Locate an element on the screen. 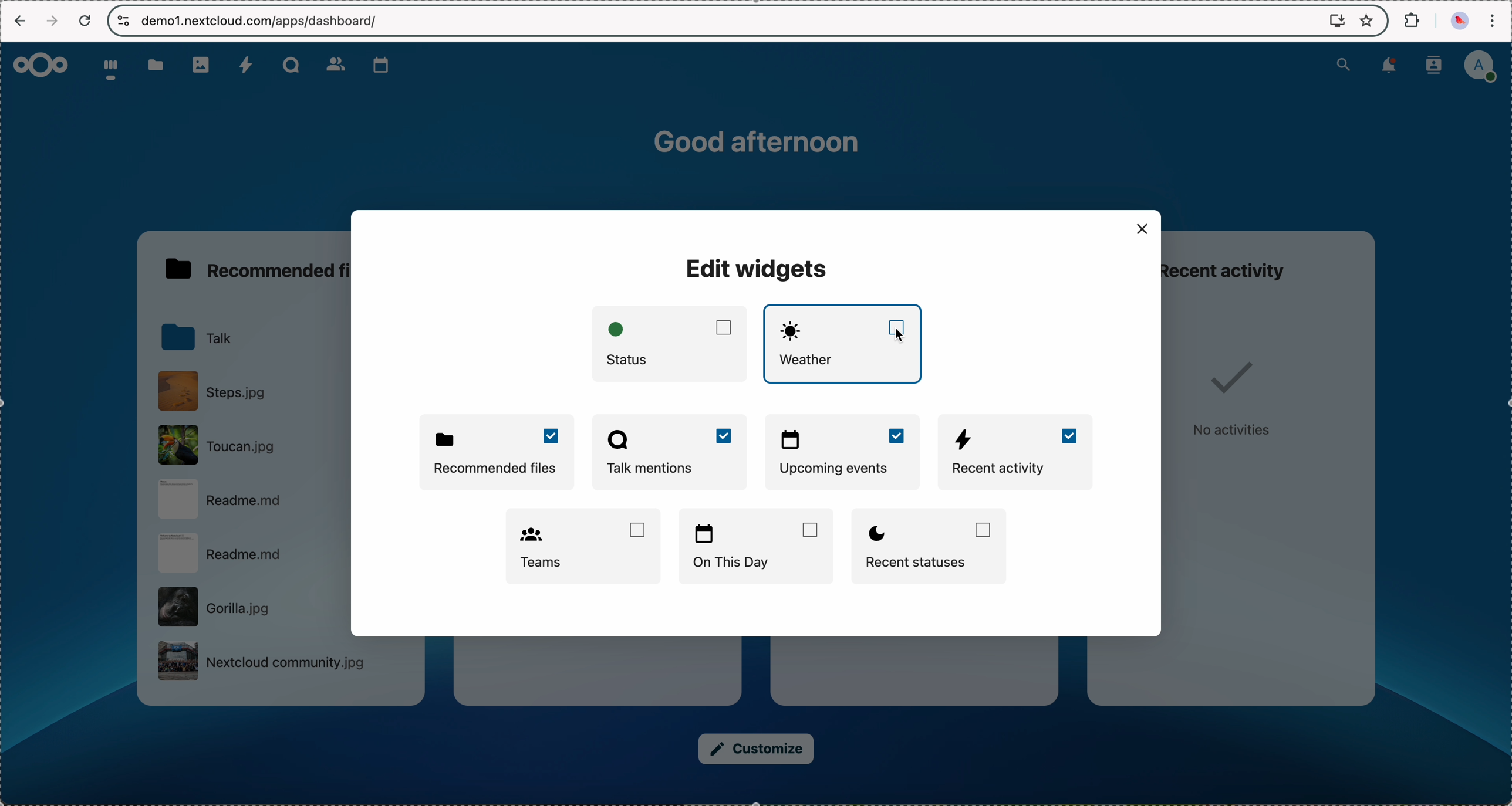 This screenshot has width=1512, height=806. extensions is located at coordinates (1410, 19).